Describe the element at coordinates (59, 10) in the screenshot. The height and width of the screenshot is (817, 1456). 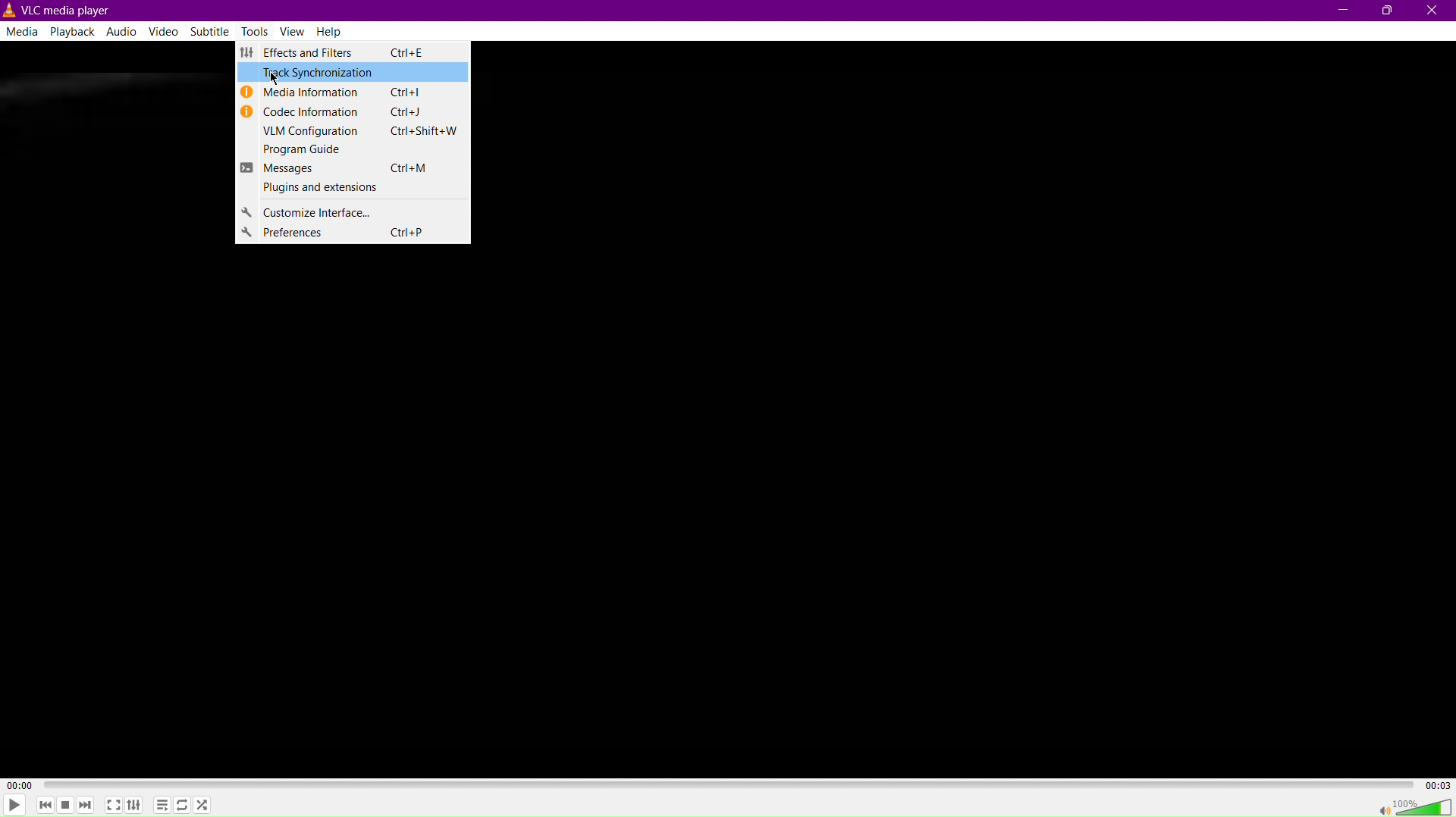
I see `VLC Media player` at that location.